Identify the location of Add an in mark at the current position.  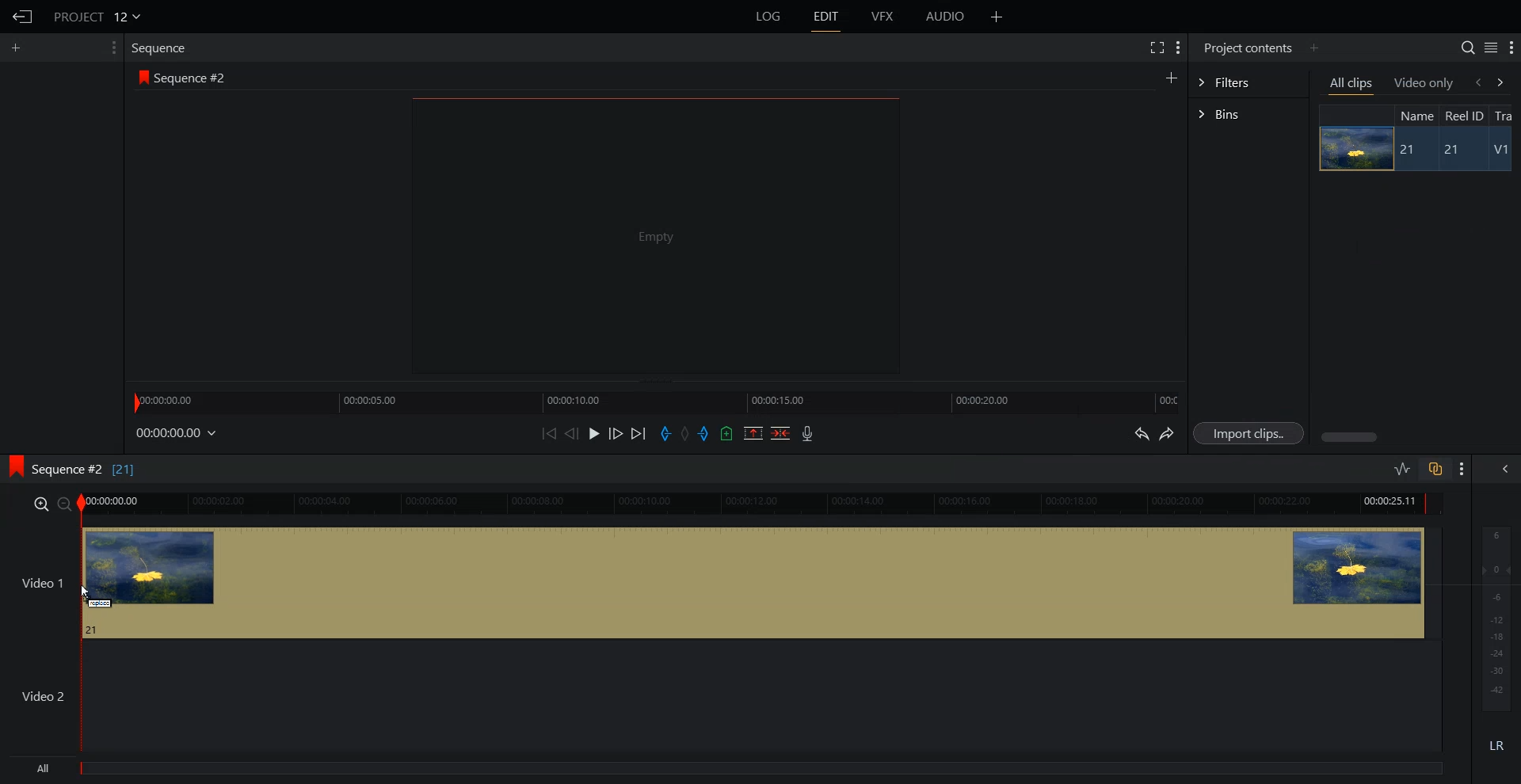
(665, 433).